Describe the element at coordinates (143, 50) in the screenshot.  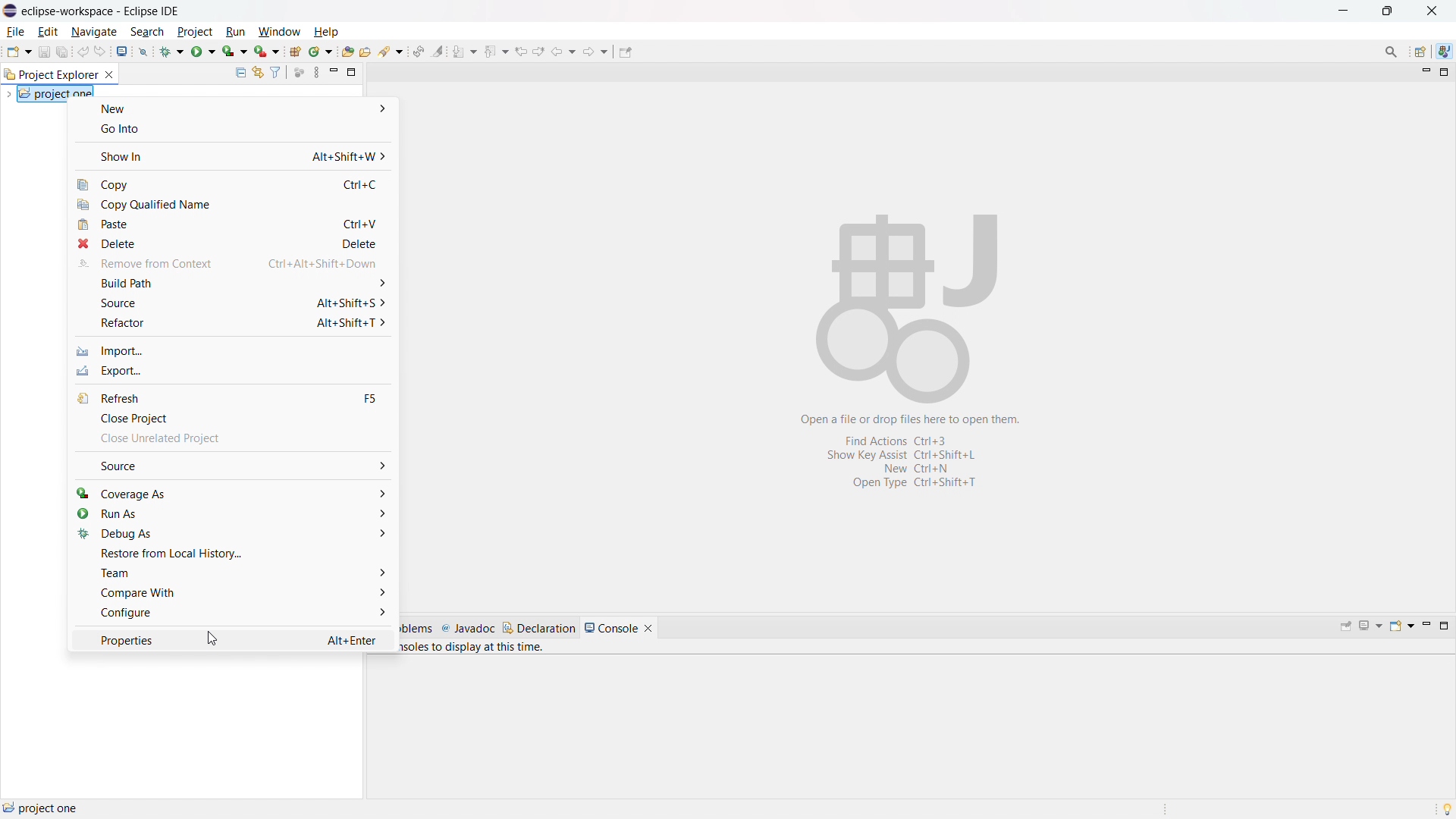
I see `skip all breakpoint` at that location.